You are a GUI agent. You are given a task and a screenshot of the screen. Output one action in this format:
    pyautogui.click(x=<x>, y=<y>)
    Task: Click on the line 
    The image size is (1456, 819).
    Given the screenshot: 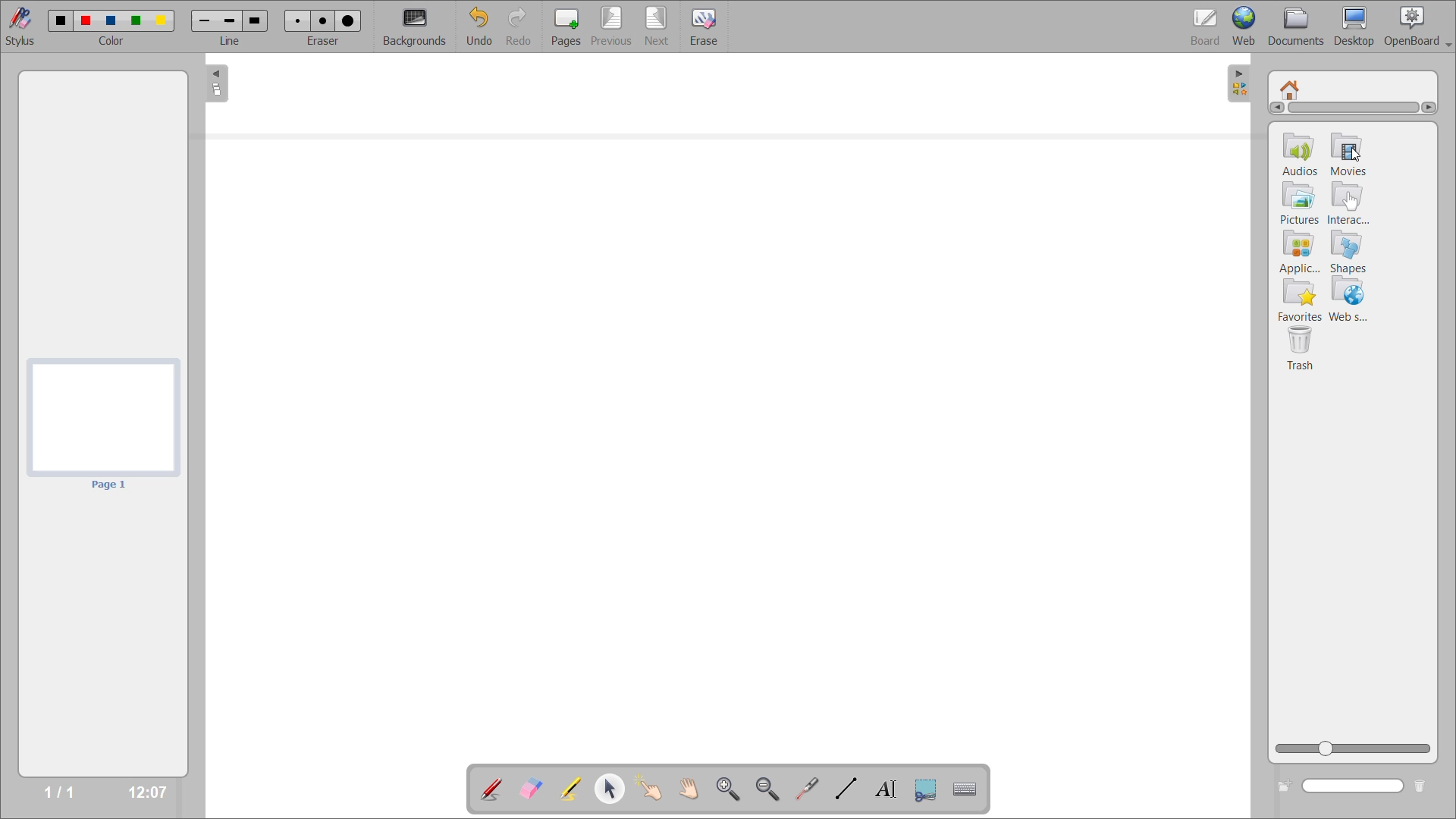 What is the action you would take?
    pyautogui.click(x=231, y=42)
    